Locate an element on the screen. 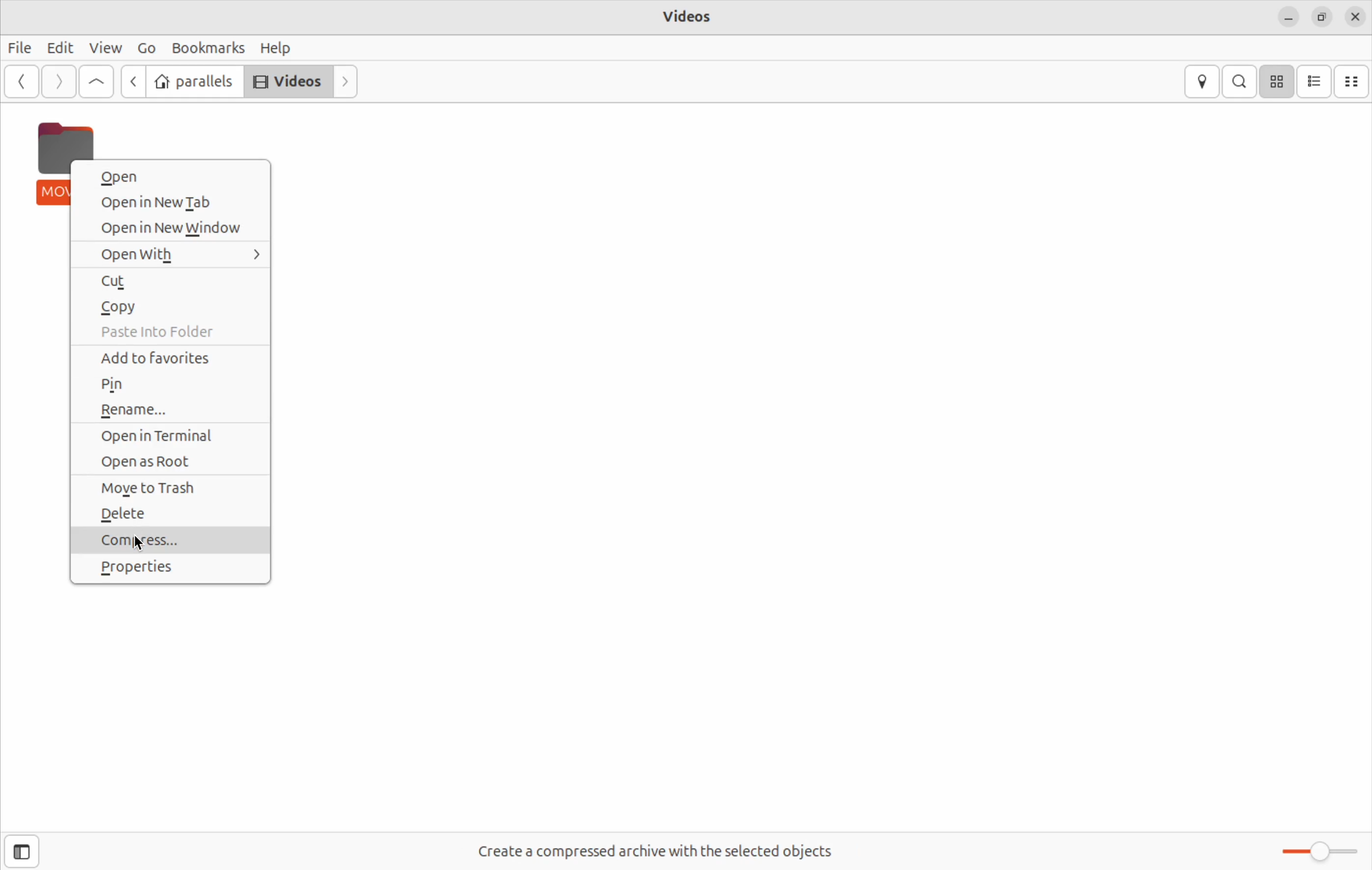 The image size is (1372, 870). show side bar is located at coordinates (22, 852).